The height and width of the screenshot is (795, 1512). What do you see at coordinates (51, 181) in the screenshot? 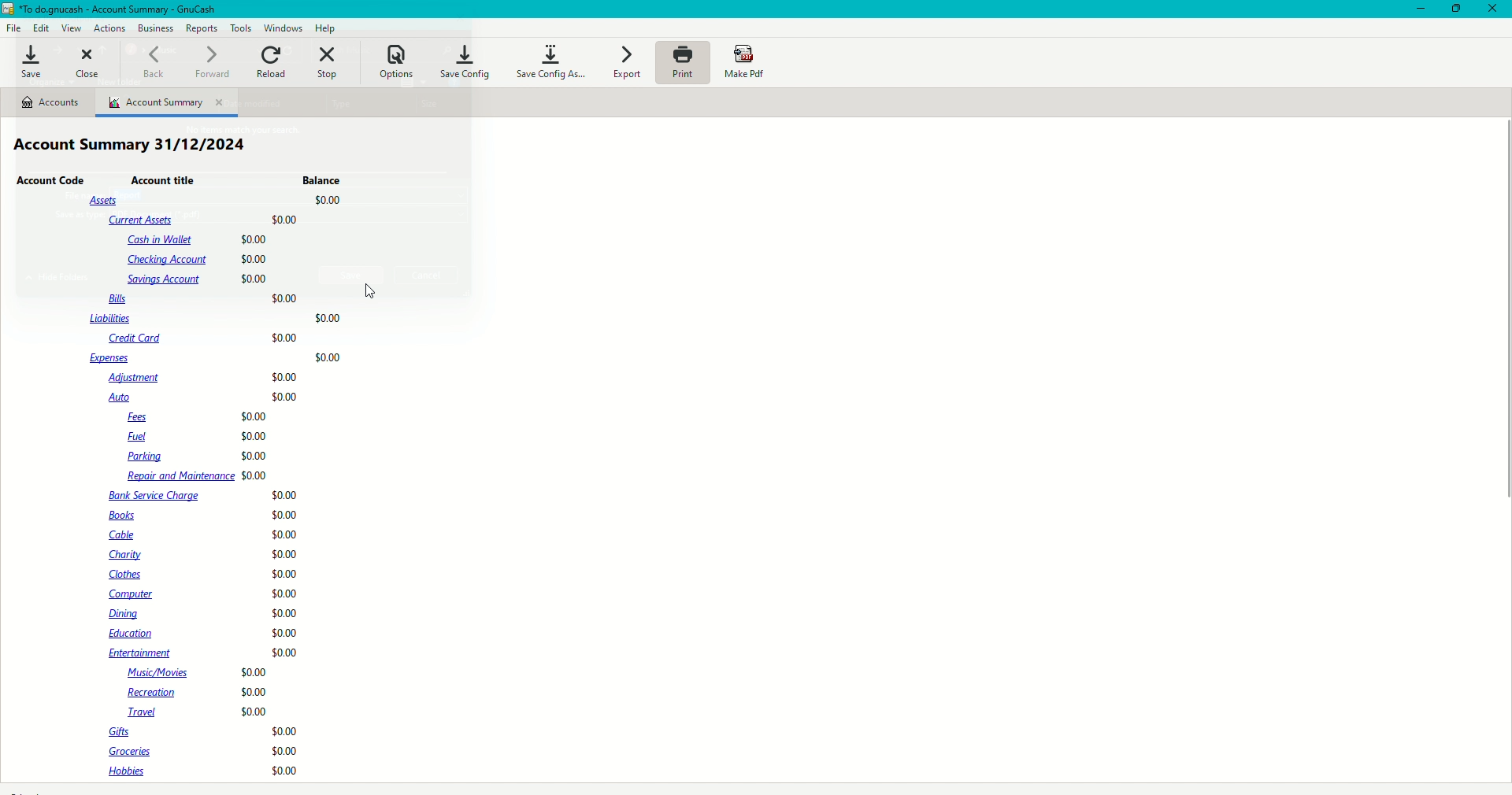
I see `ccount Code` at bounding box center [51, 181].